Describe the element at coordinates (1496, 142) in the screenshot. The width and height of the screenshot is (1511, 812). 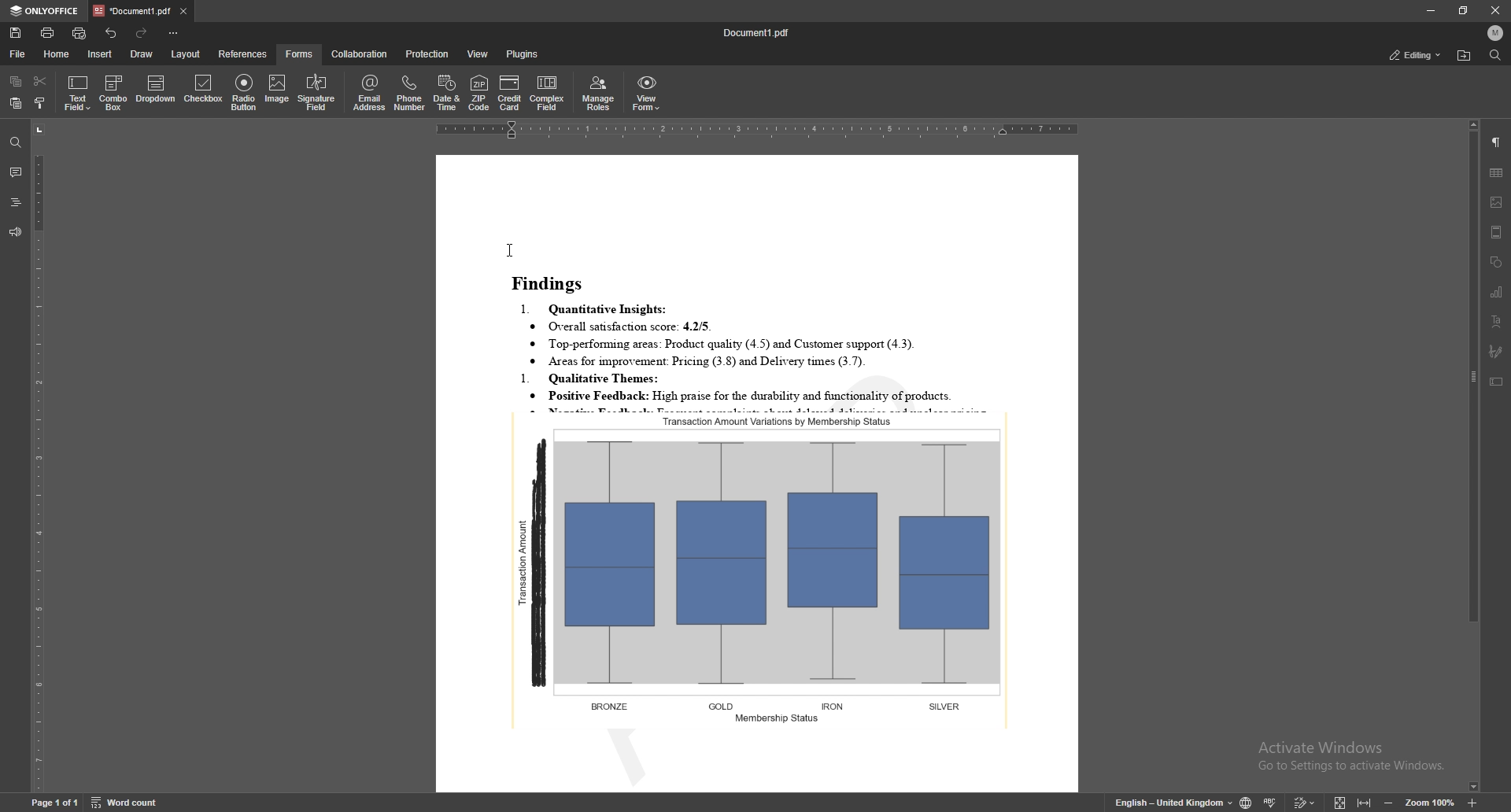
I see `paragraph` at that location.